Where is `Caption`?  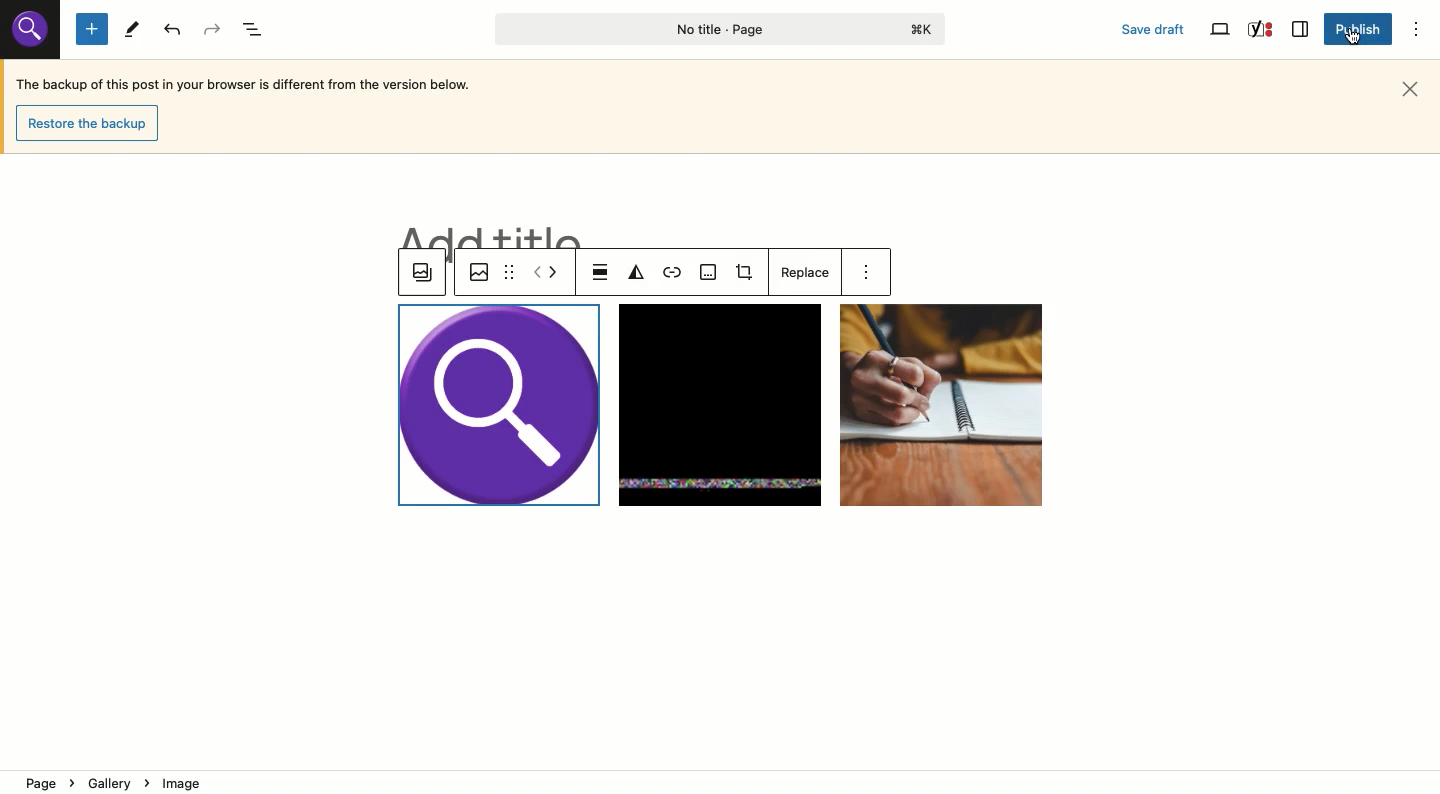 Caption is located at coordinates (709, 274).